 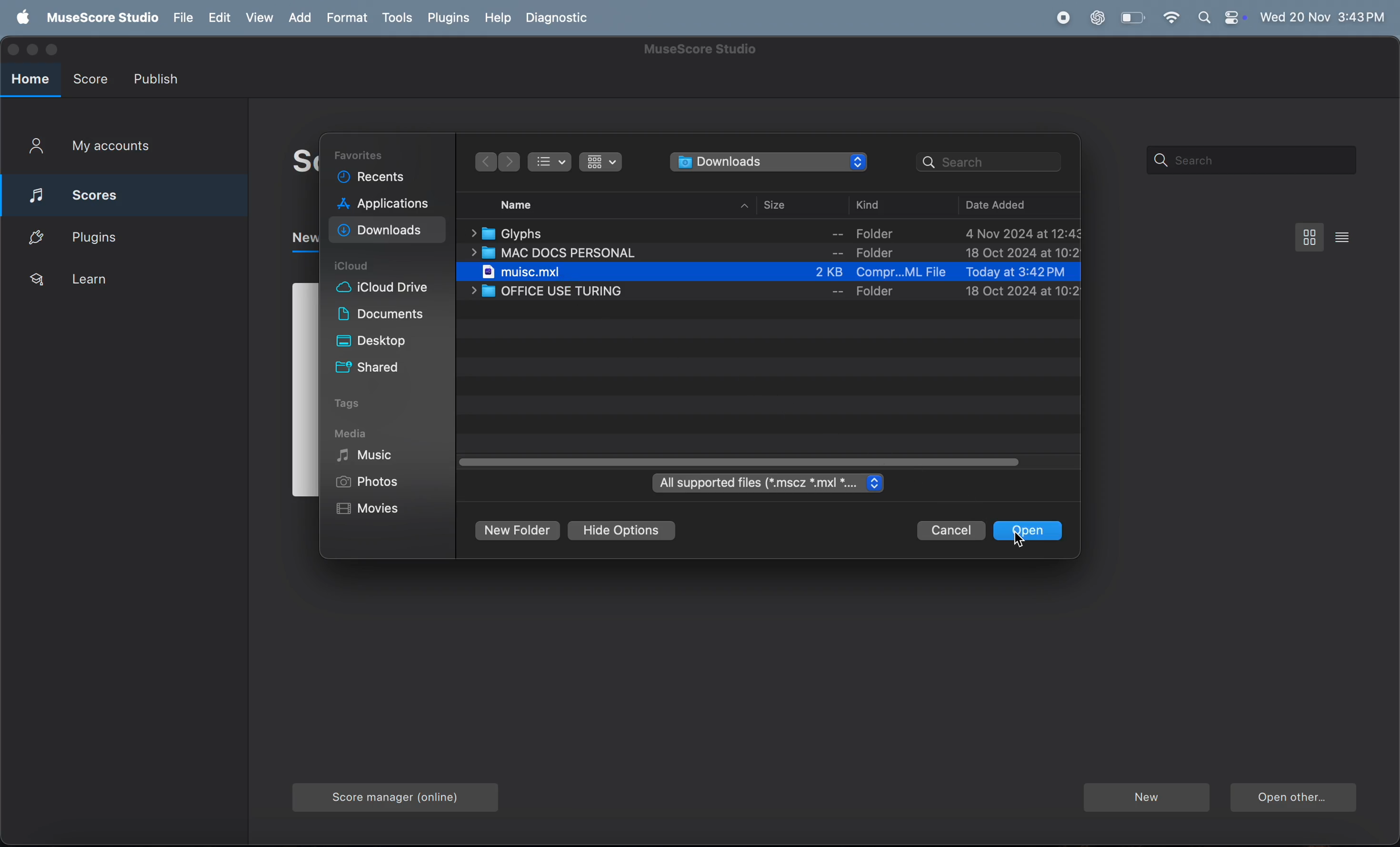 I want to click on search, so click(x=991, y=161).